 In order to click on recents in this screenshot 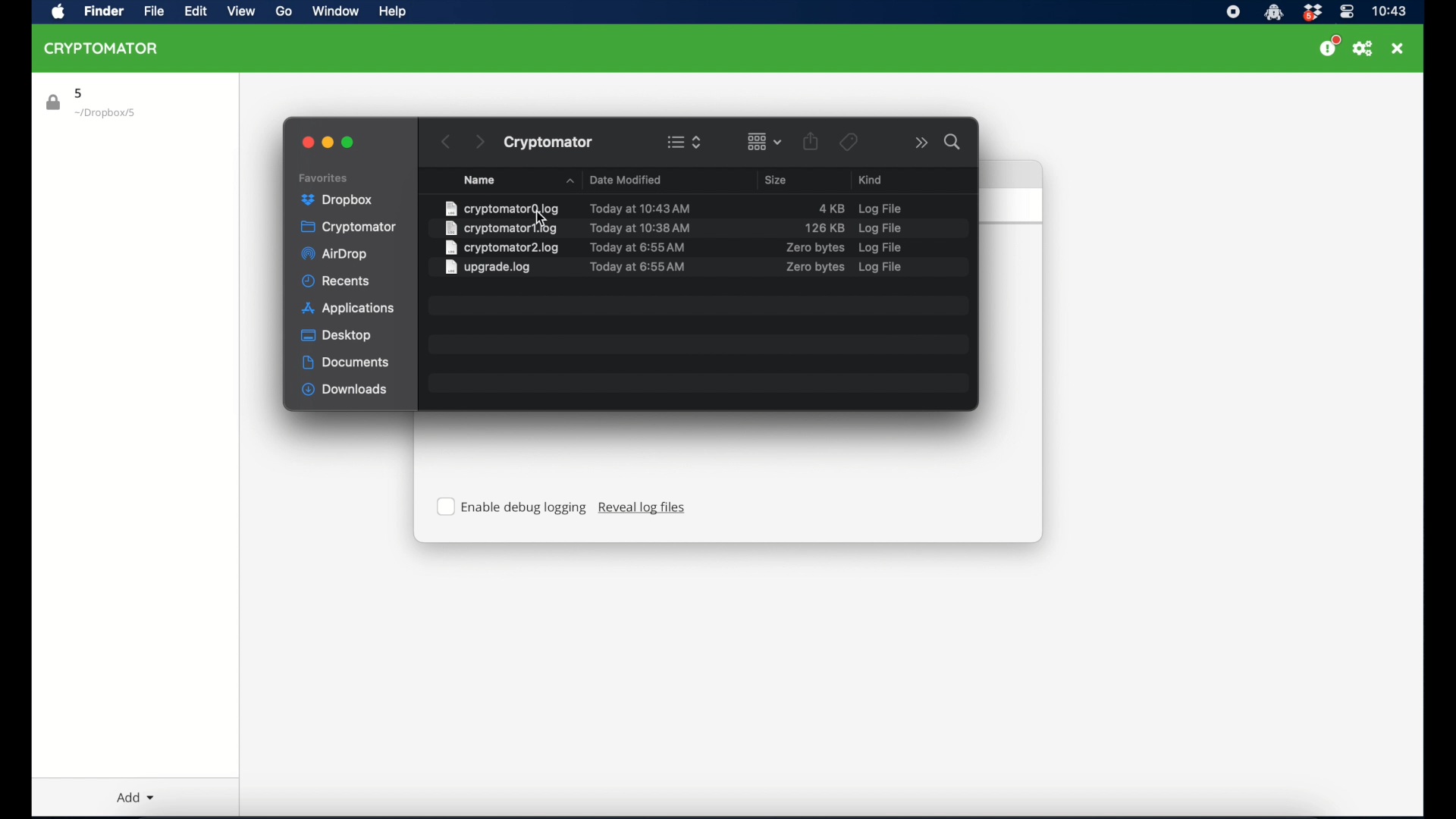, I will do `click(337, 281)`.